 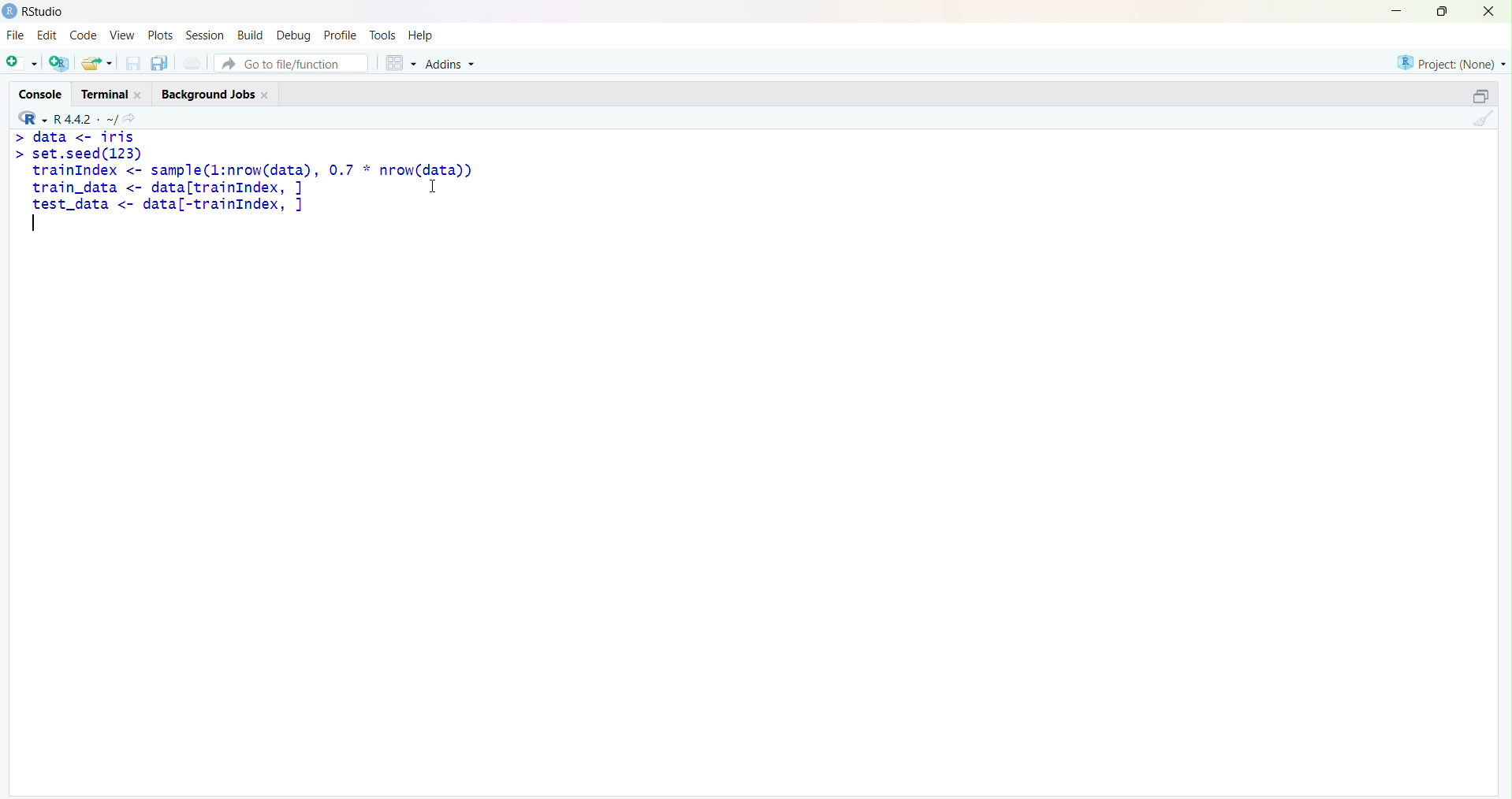 What do you see at coordinates (87, 117) in the screenshot?
I see `R.4.4.2. ~/` at bounding box center [87, 117].